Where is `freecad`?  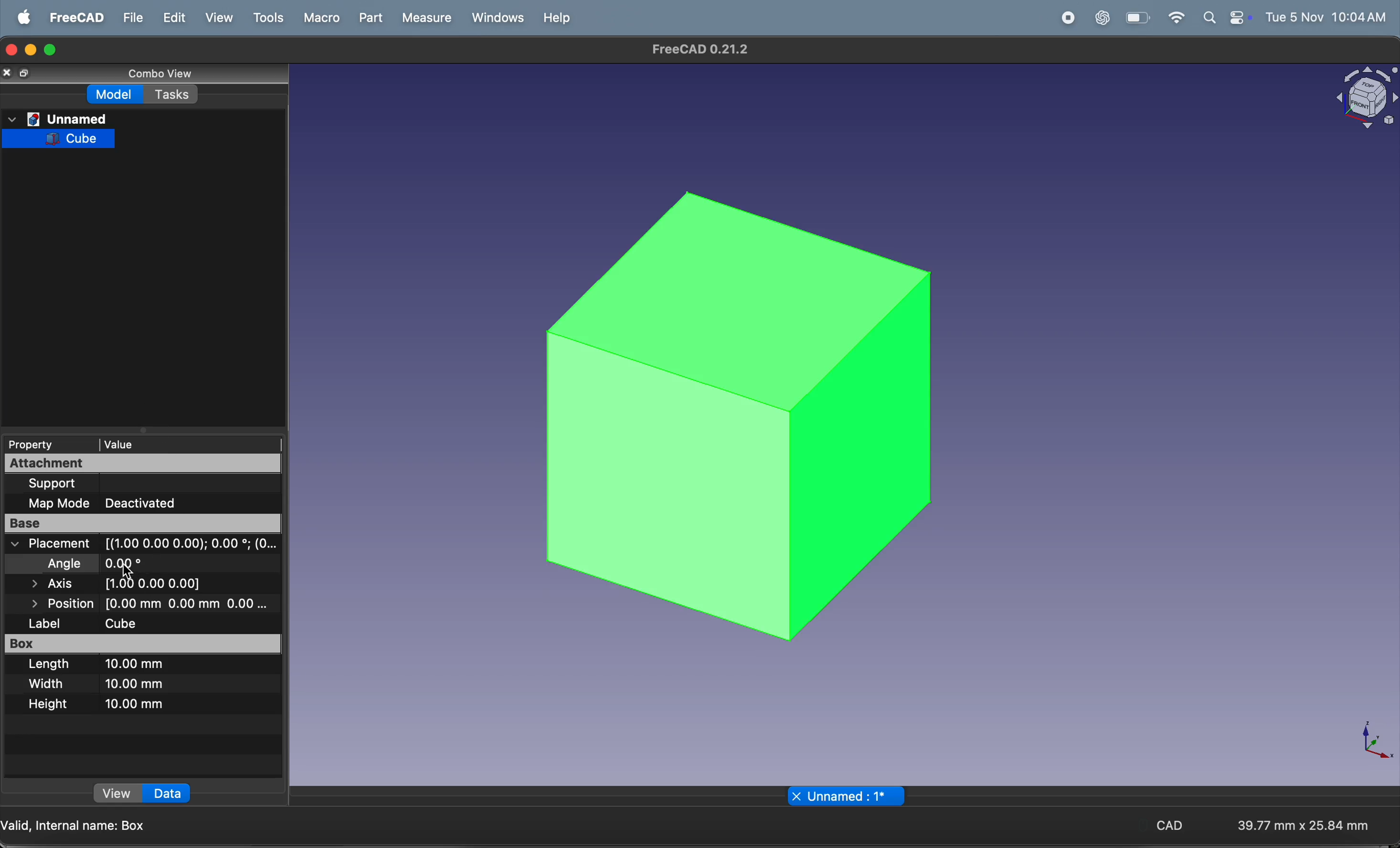
freecad is located at coordinates (76, 17).